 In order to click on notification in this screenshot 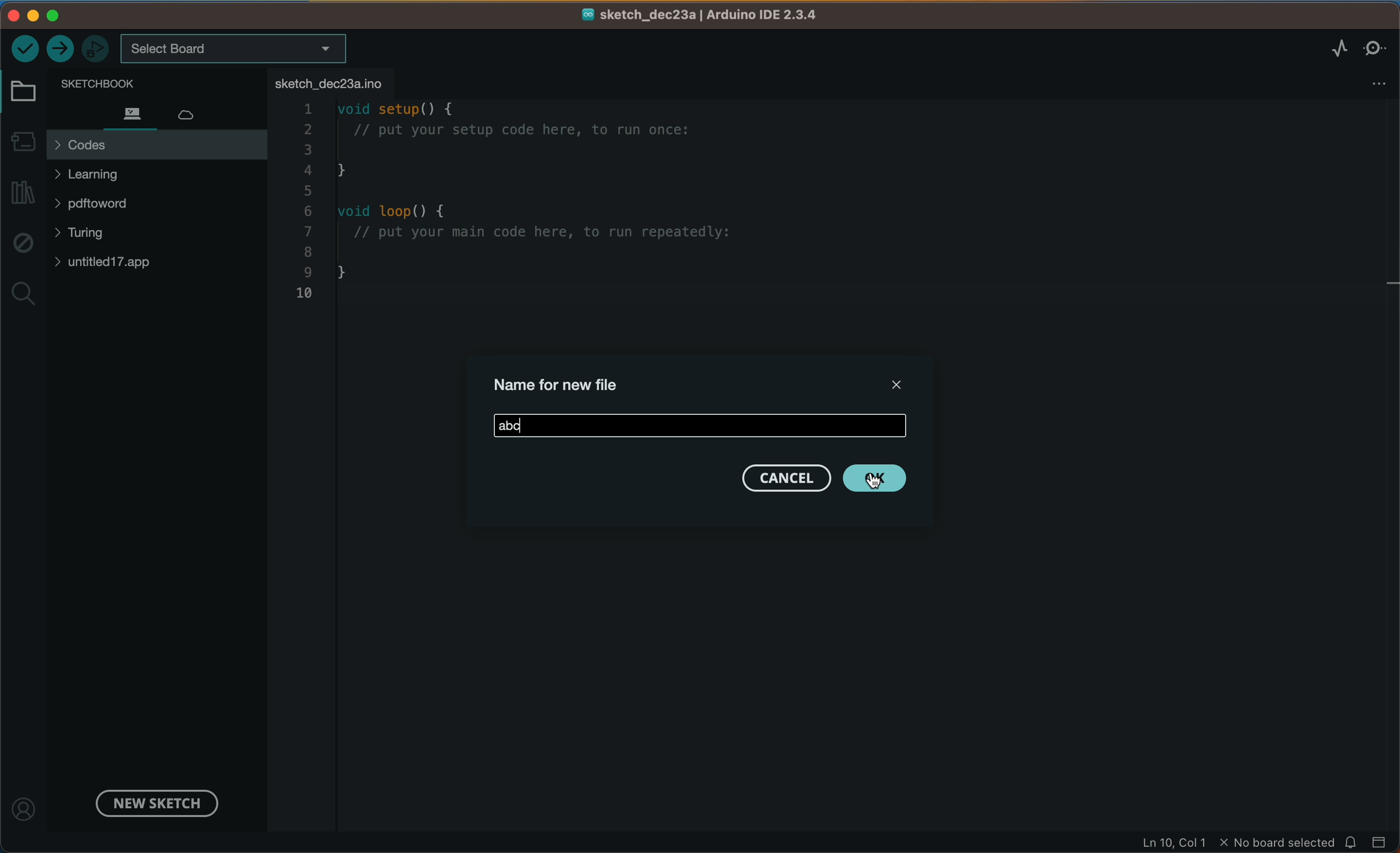, I will do `click(1352, 842)`.